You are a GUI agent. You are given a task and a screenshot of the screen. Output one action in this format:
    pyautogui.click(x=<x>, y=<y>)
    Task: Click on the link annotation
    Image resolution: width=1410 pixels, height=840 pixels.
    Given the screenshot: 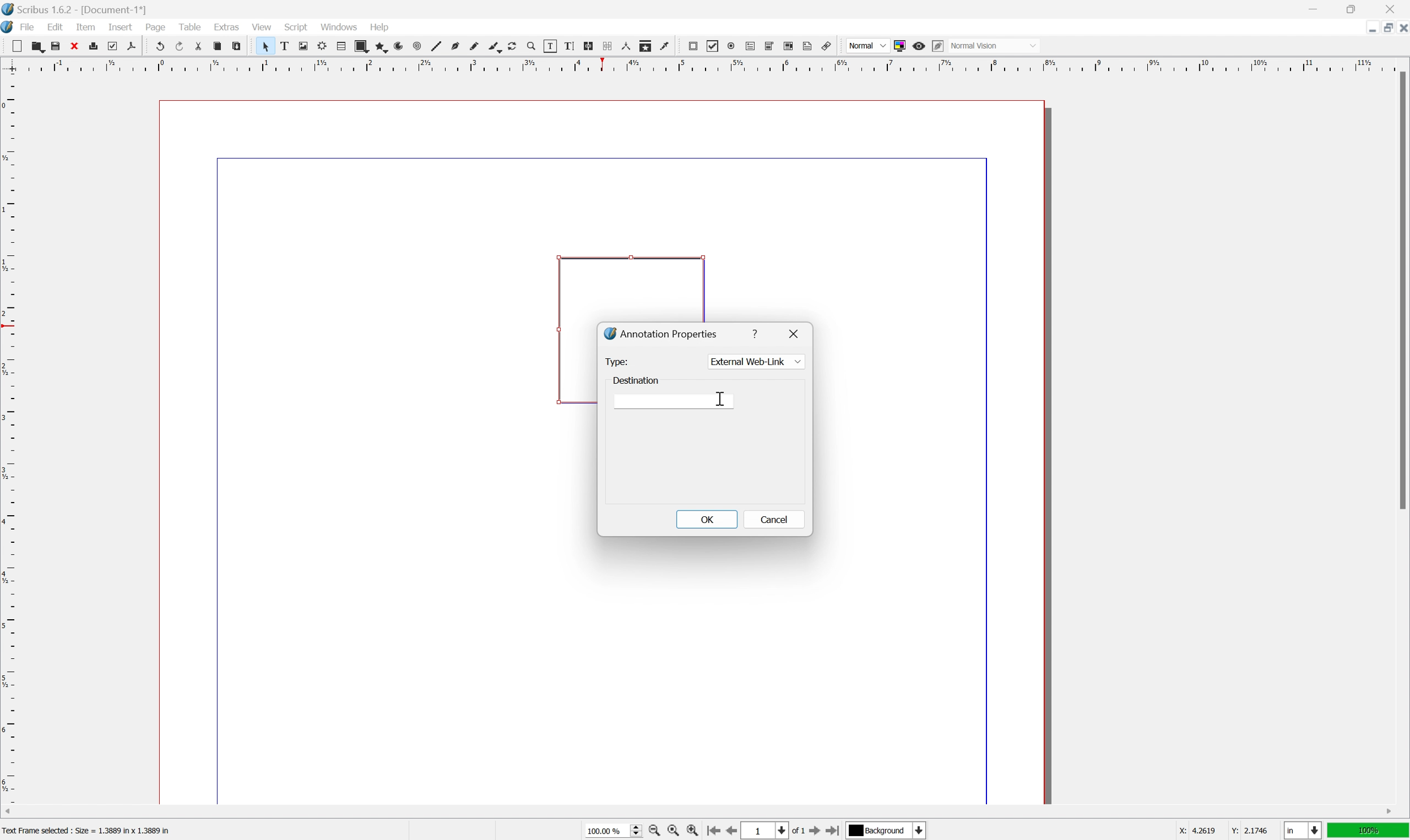 What is the action you would take?
    pyautogui.click(x=826, y=46)
    